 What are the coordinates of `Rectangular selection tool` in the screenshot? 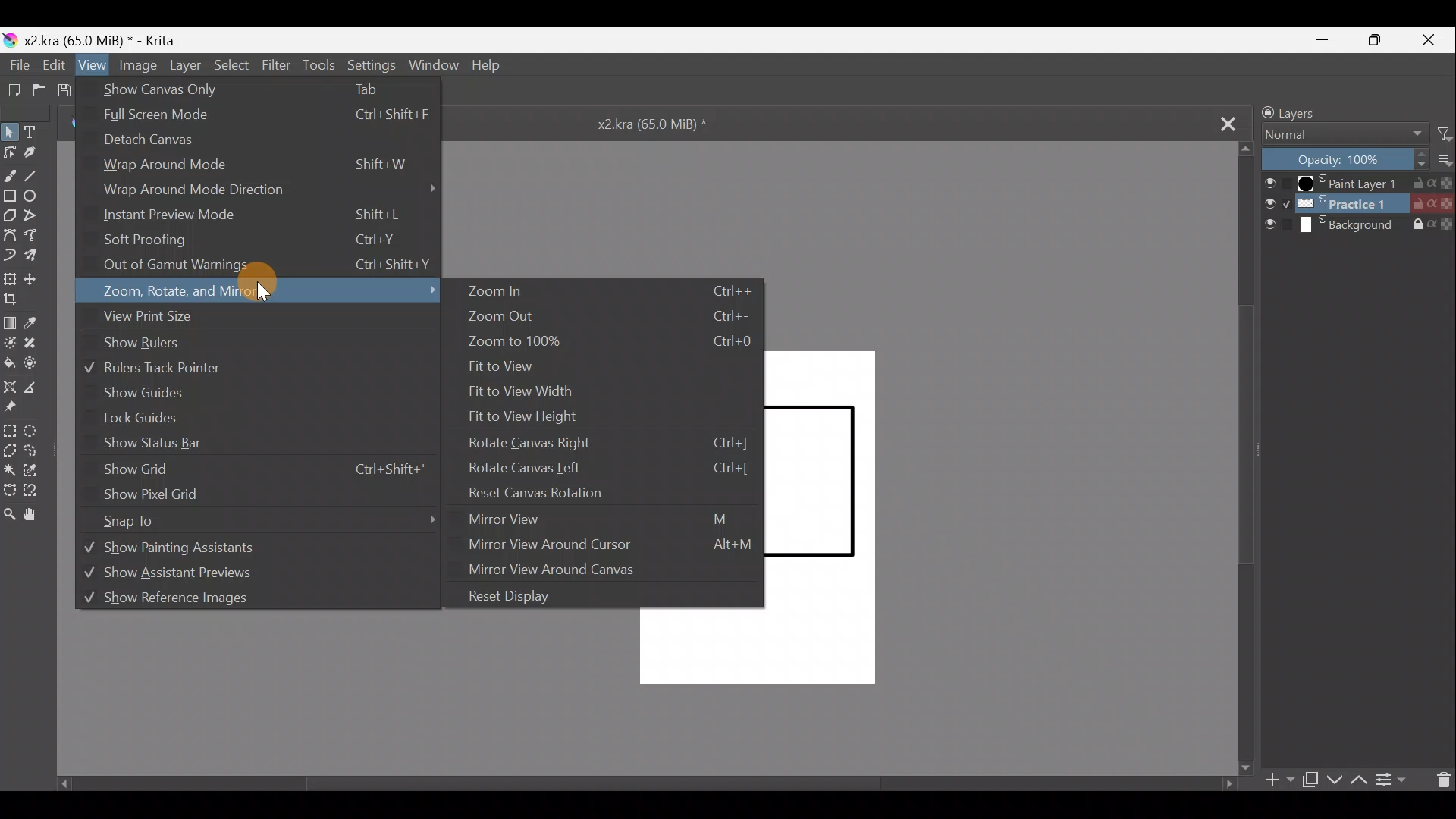 It's located at (9, 429).